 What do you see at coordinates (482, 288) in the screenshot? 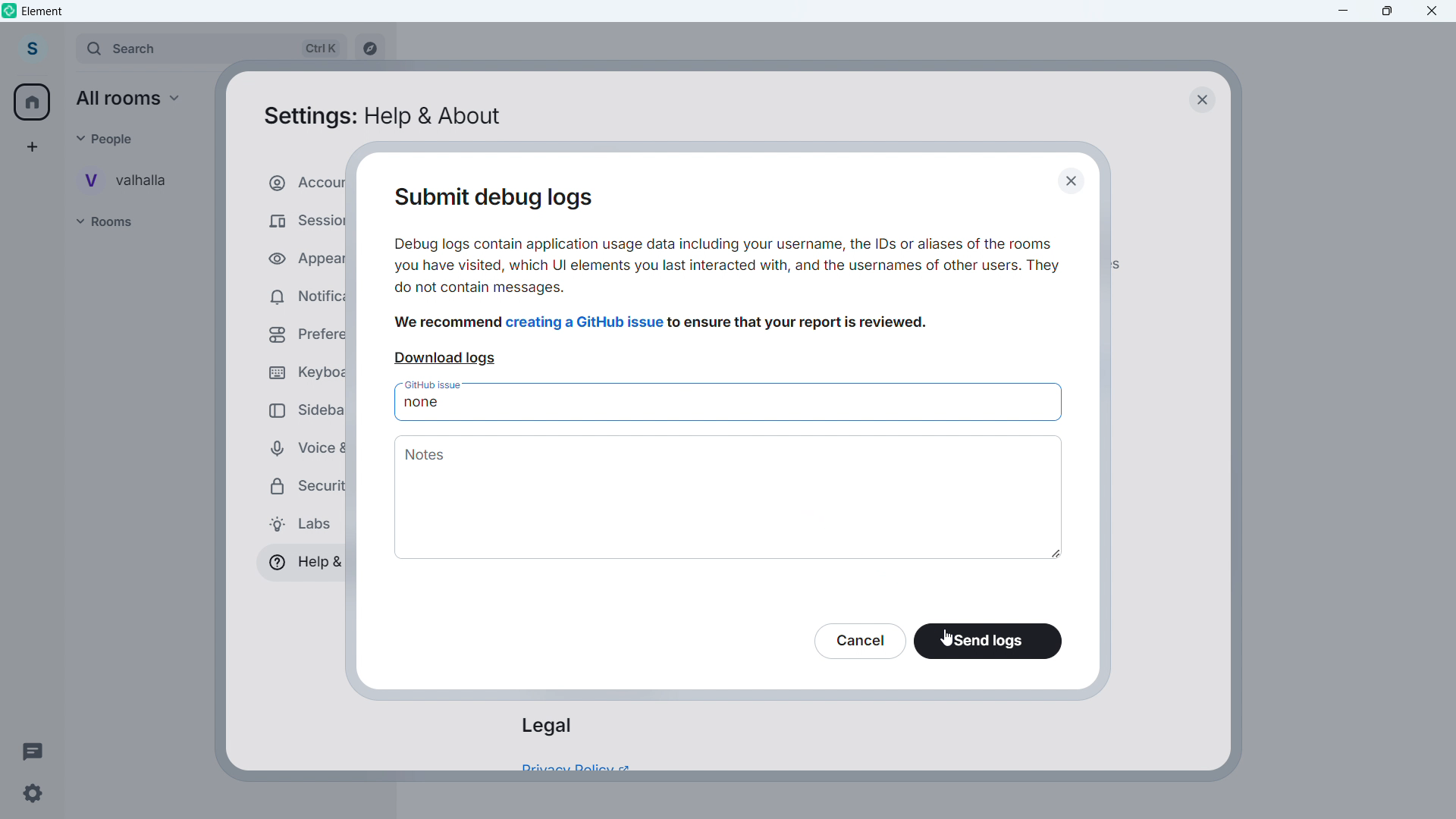
I see `do not contain messages` at bounding box center [482, 288].